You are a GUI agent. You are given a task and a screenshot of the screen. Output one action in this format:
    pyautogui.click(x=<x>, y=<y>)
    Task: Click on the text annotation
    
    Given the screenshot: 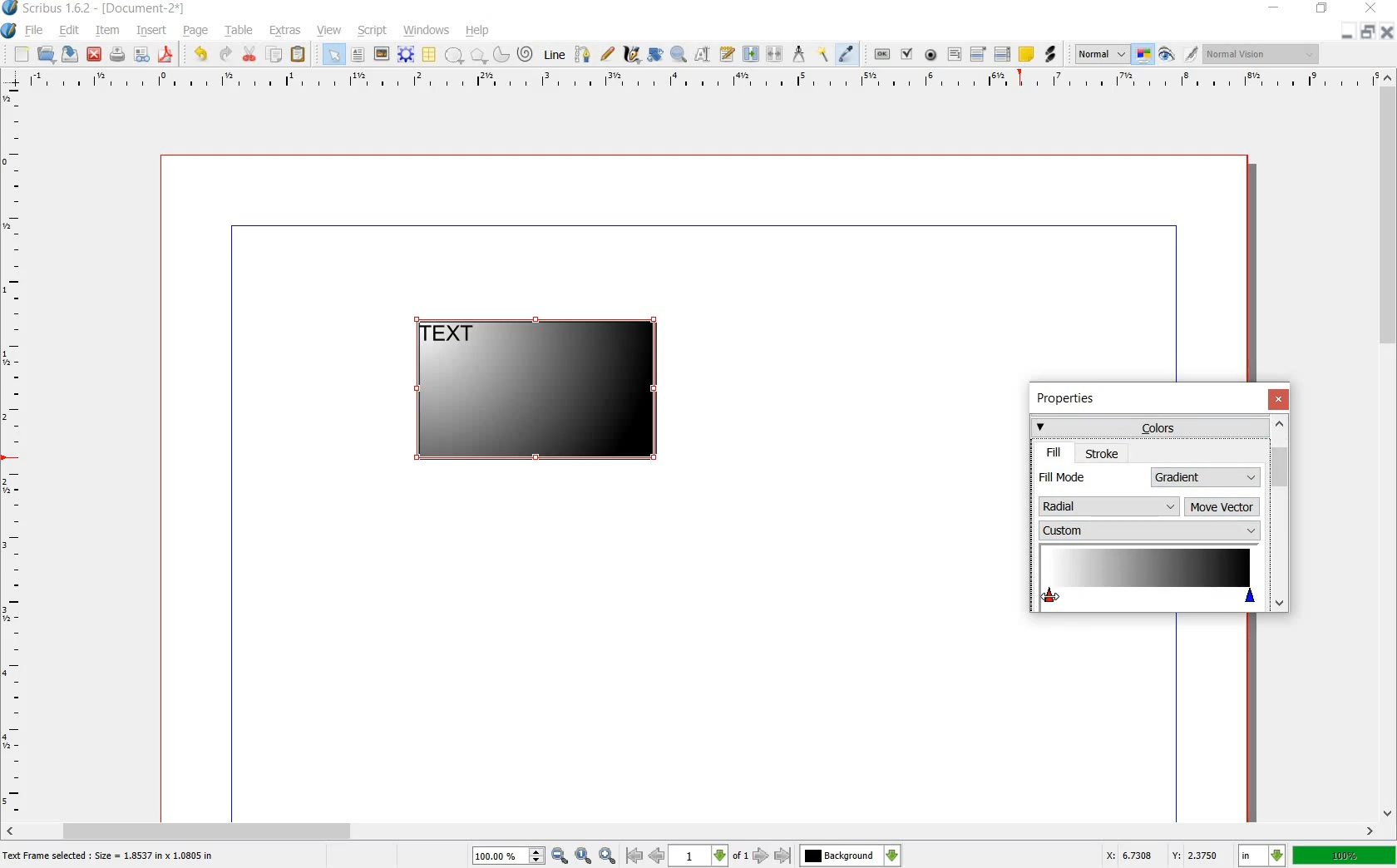 What is the action you would take?
    pyautogui.click(x=1026, y=54)
    